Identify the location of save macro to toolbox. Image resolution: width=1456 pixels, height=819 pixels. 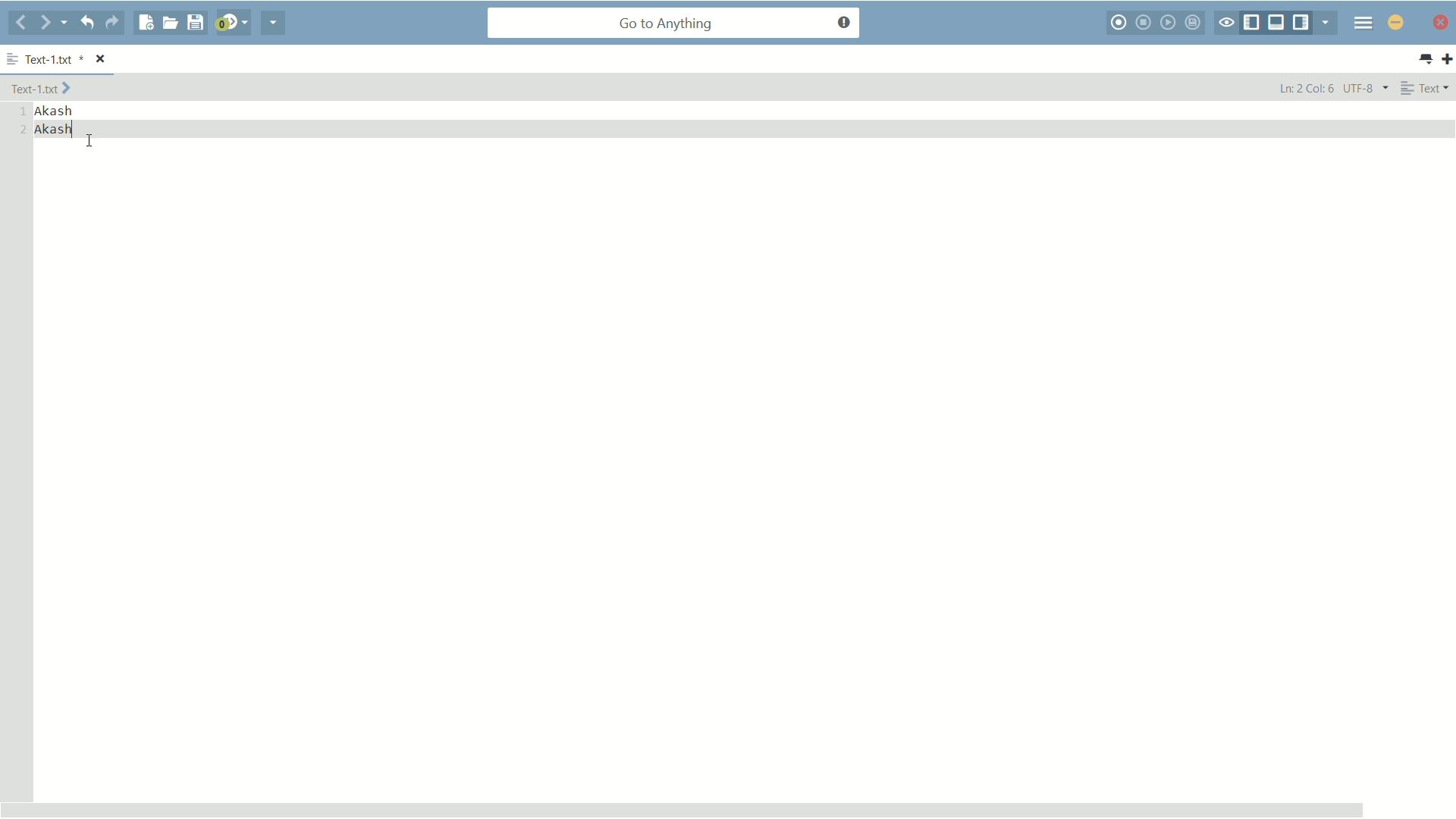
(1194, 23).